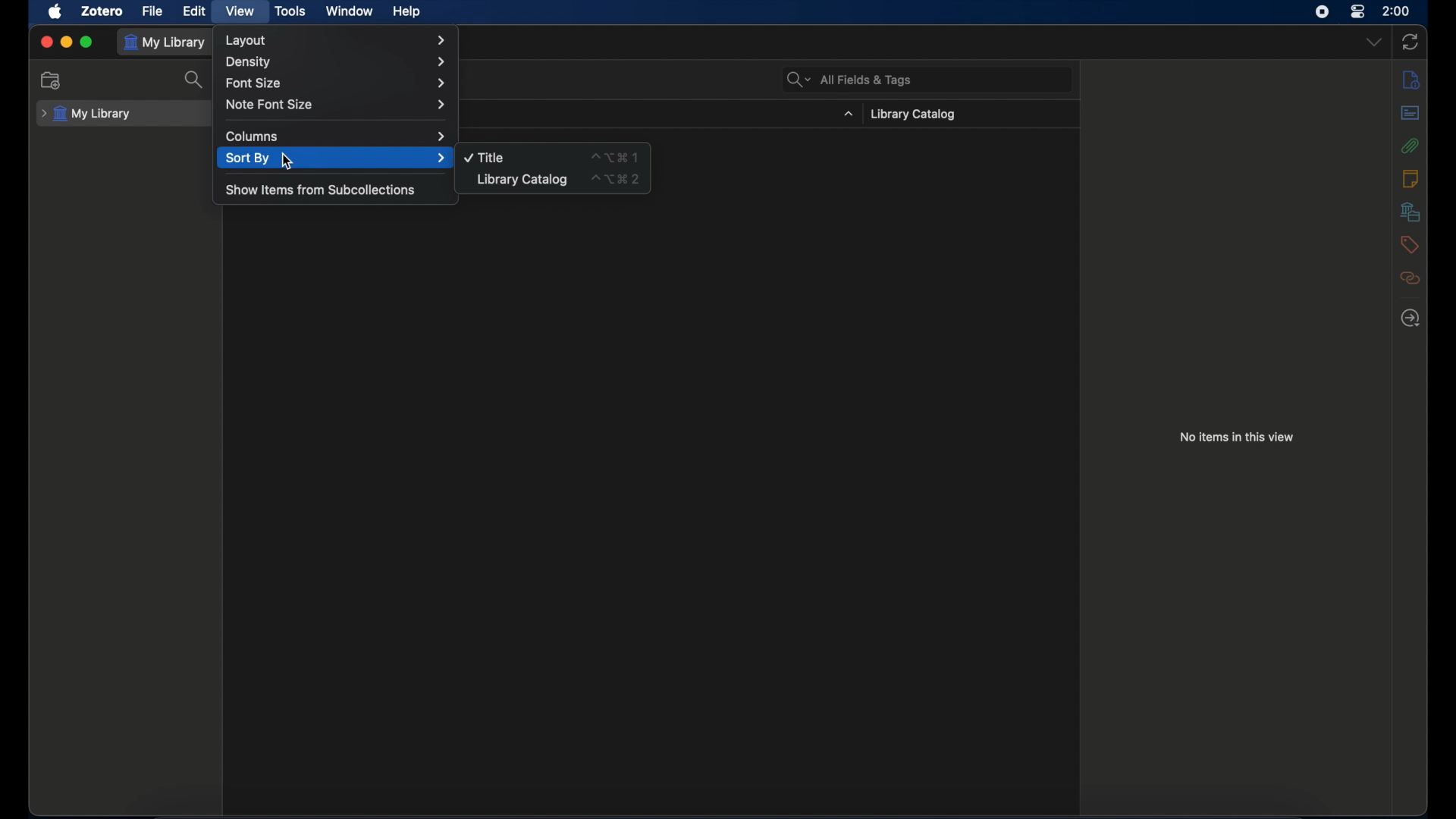  Describe the element at coordinates (913, 115) in the screenshot. I see `library catalog` at that location.